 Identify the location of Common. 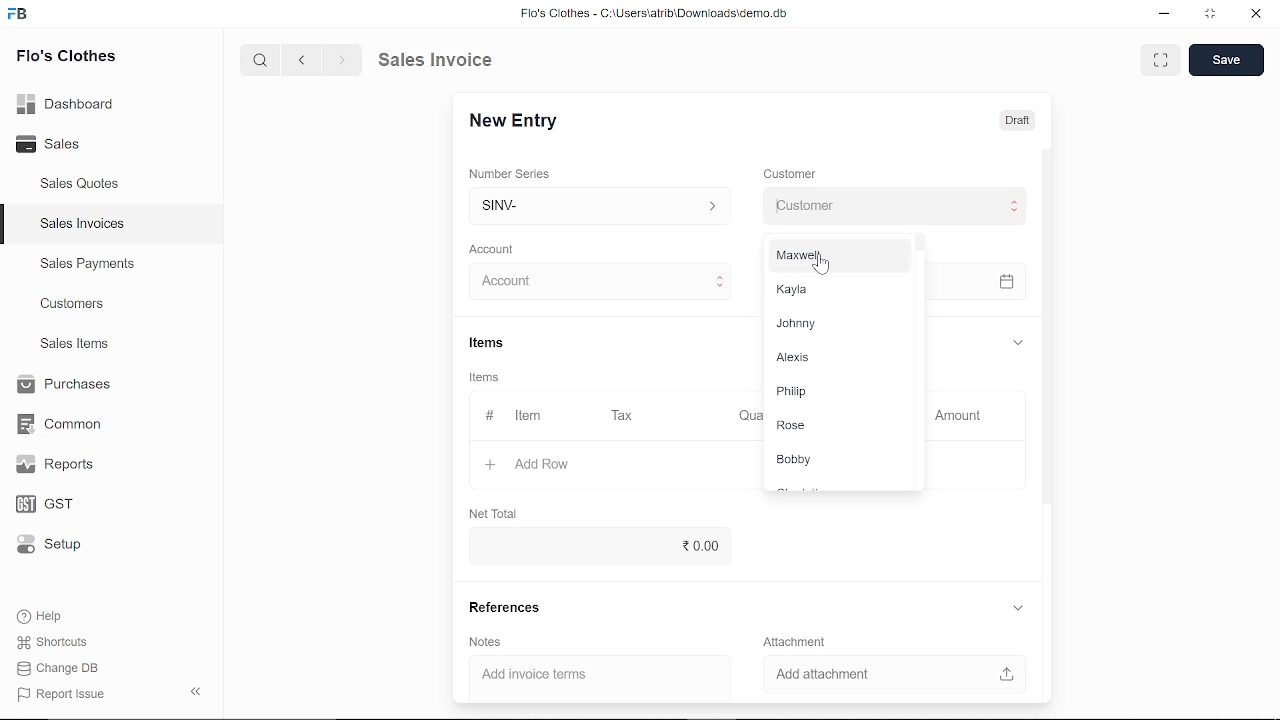
(62, 424).